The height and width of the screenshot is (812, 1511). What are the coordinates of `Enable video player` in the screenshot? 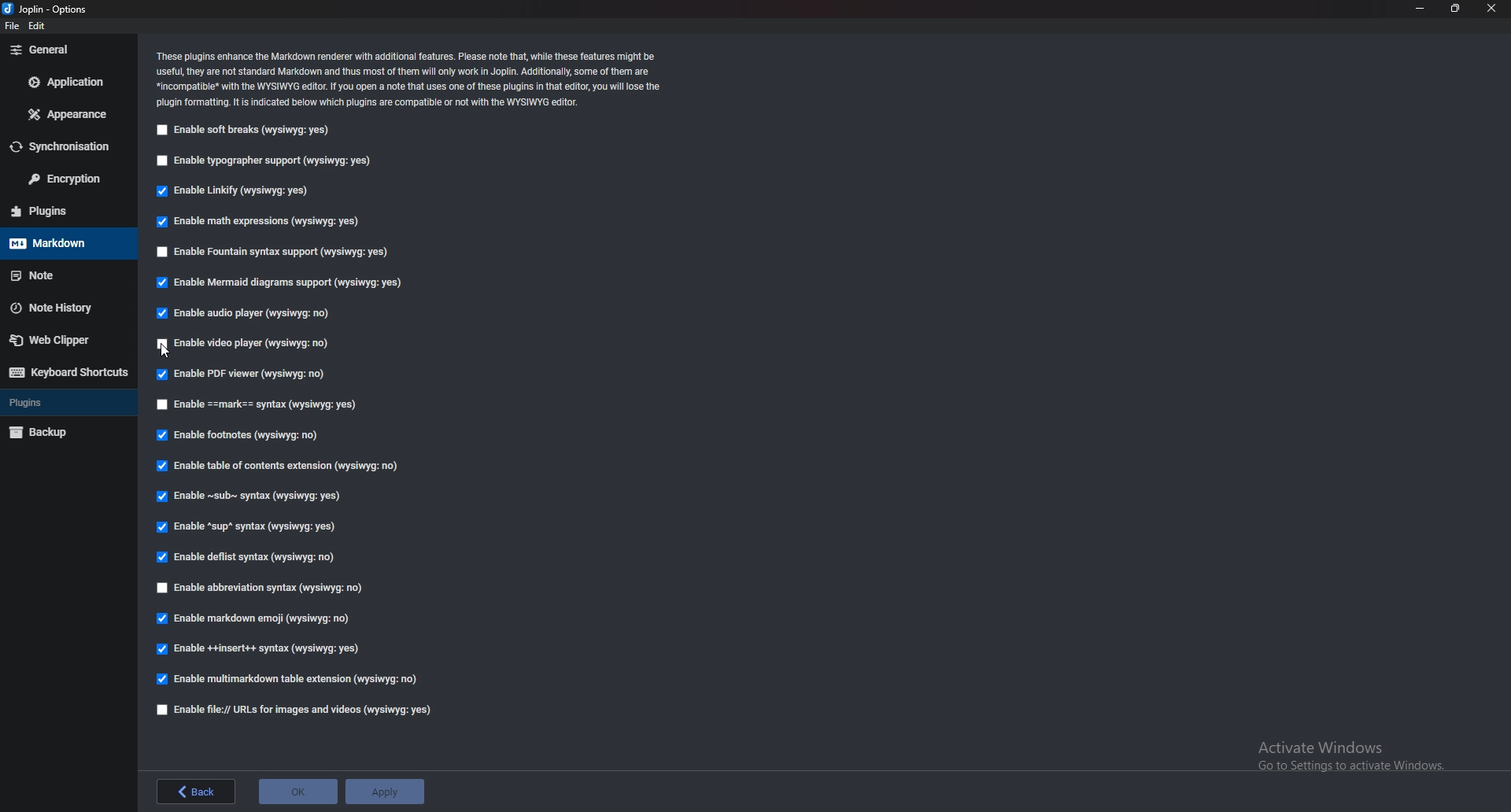 It's located at (246, 344).